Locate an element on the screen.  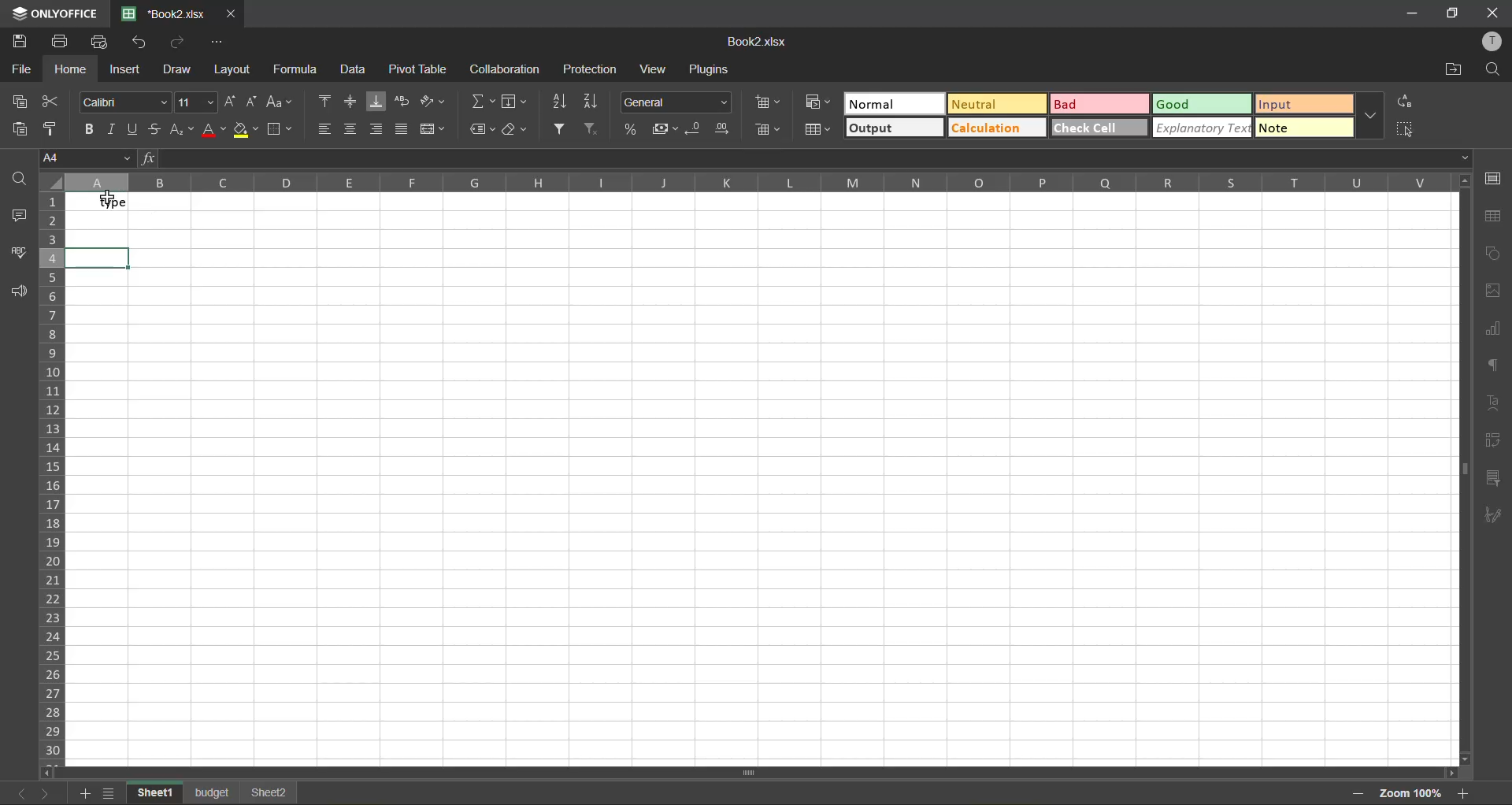
accounting is located at coordinates (666, 127).